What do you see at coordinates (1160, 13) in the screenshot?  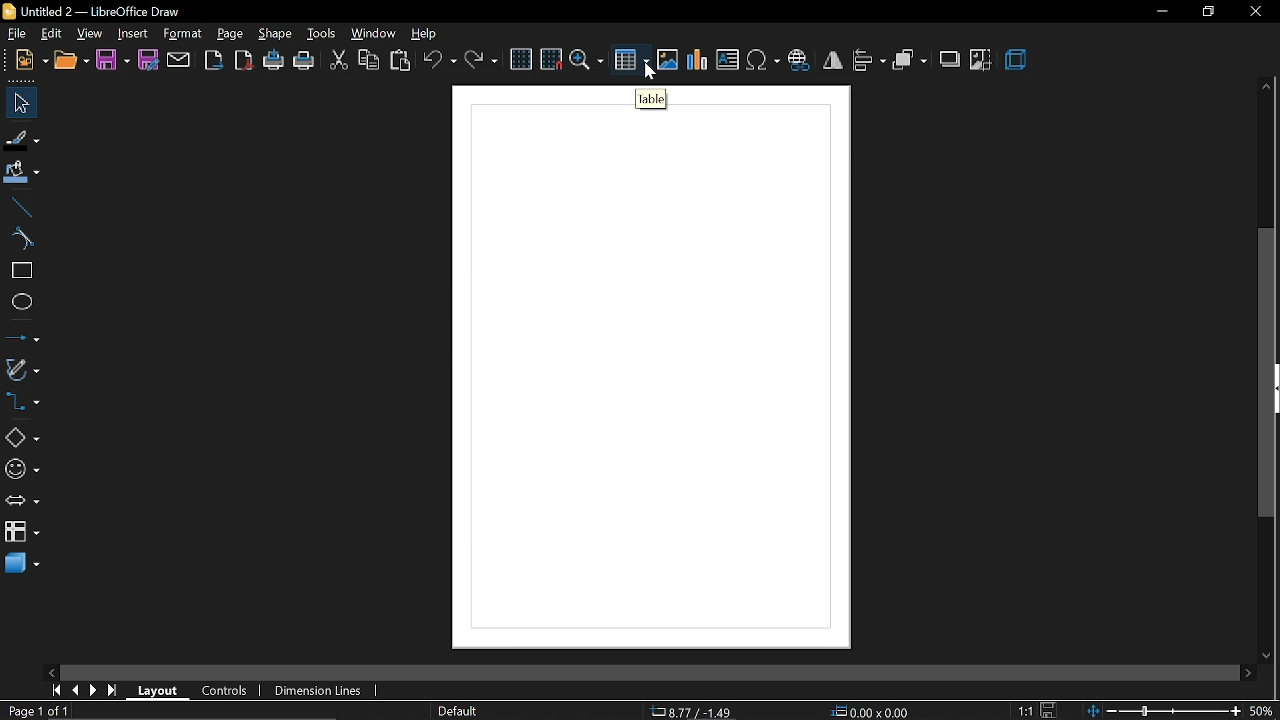 I see `minimize` at bounding box center [1160, 13].